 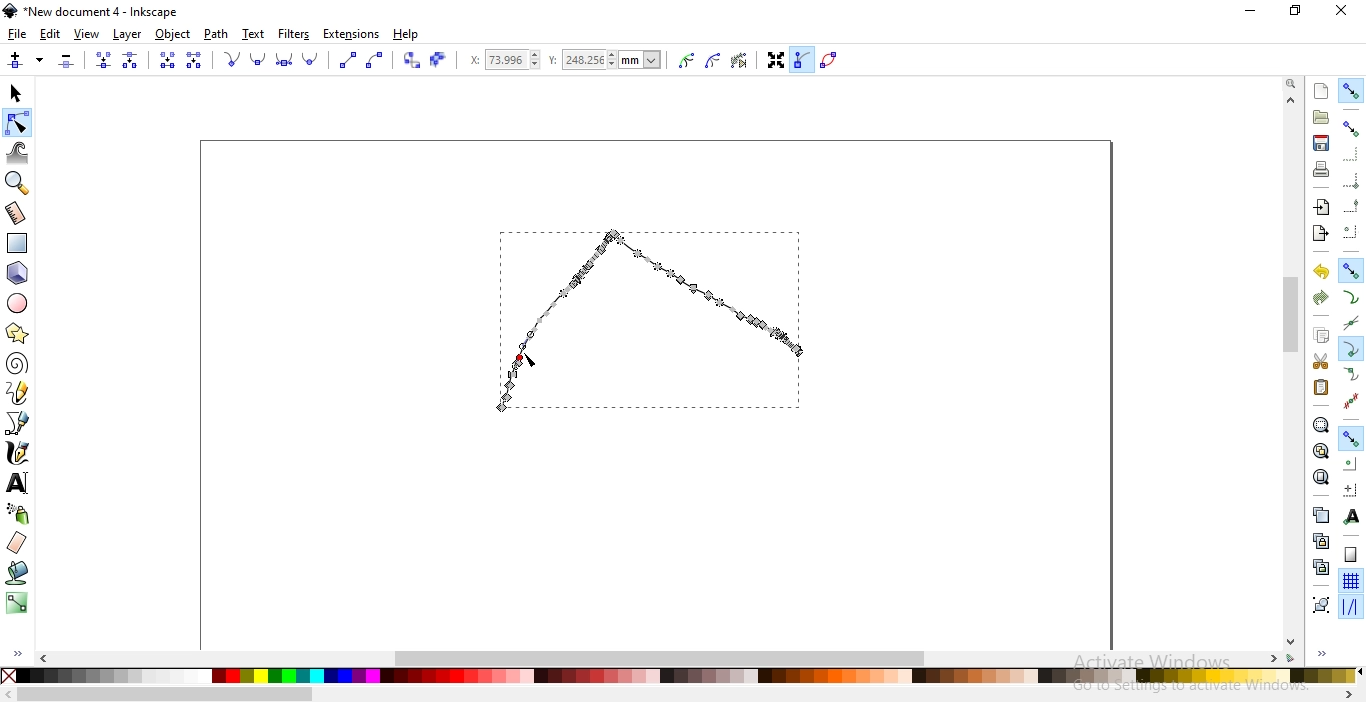 I want to click on copy, so click(x=1320, y=333).